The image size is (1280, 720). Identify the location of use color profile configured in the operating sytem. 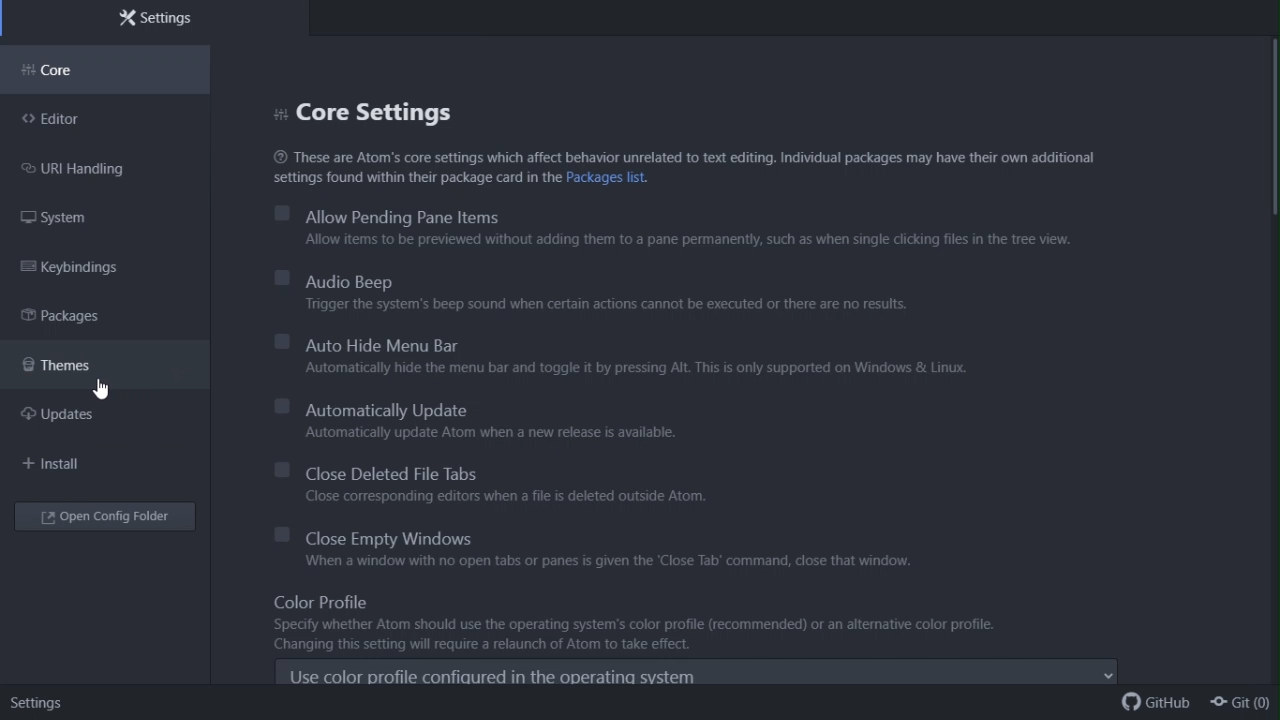
(704, 672).